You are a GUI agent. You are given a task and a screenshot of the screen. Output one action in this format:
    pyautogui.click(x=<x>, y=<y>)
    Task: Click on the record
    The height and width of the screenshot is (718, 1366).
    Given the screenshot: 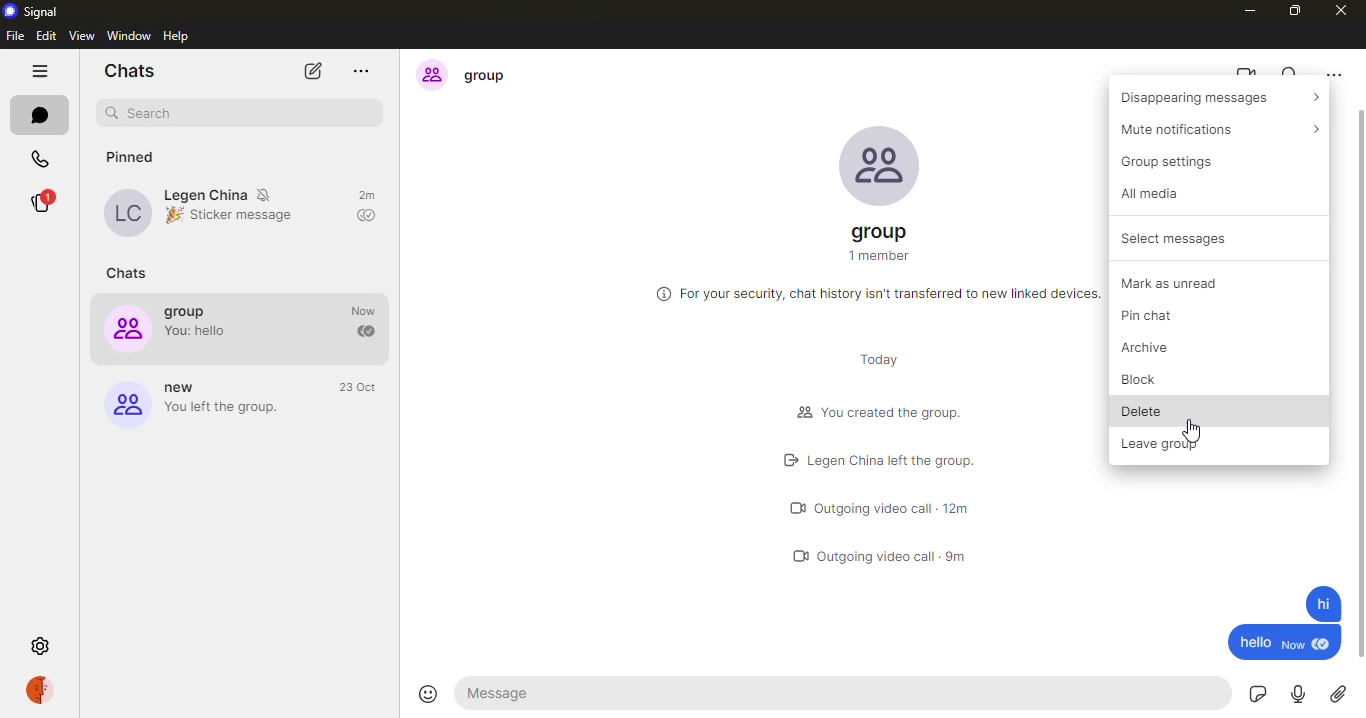 What is the action you would take?
    pyautogui.click(x=1297, y=695)
    